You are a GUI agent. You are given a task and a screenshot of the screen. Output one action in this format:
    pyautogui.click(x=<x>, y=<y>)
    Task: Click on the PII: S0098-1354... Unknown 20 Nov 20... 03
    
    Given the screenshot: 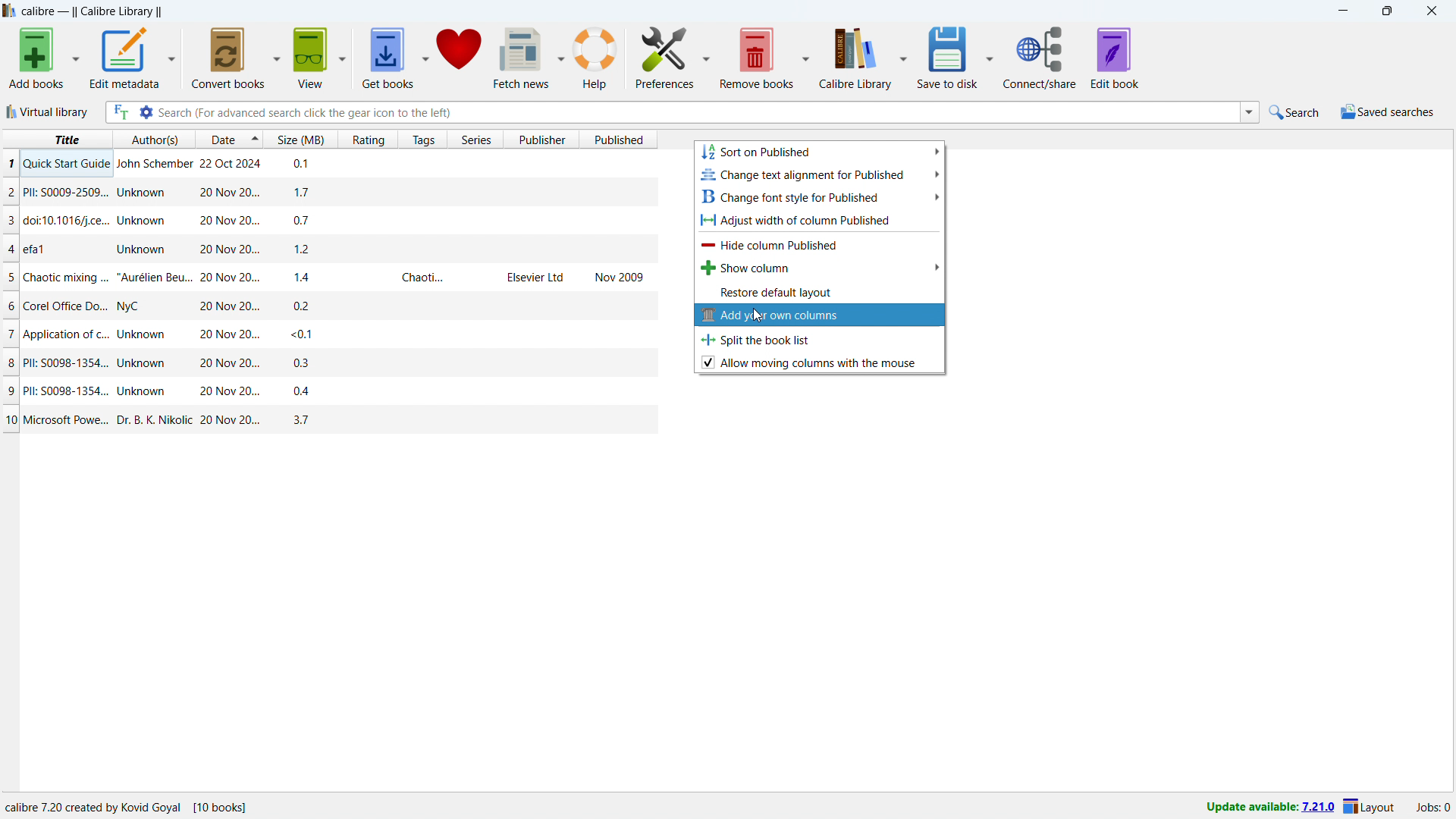 What is the action you would take?
    pyautogui.click(x=328, y=362)
    